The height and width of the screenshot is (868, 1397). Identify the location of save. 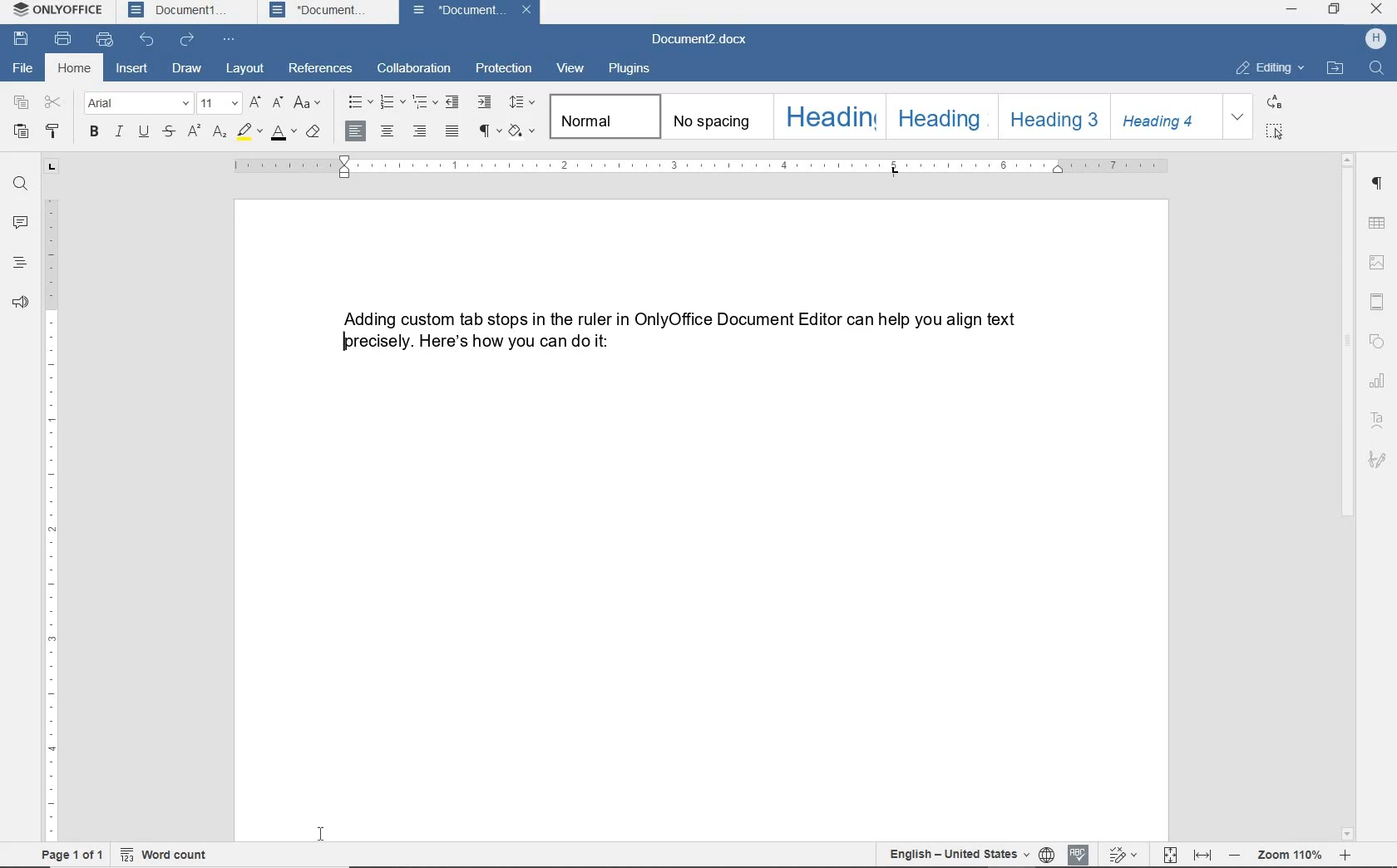
(21, 41).